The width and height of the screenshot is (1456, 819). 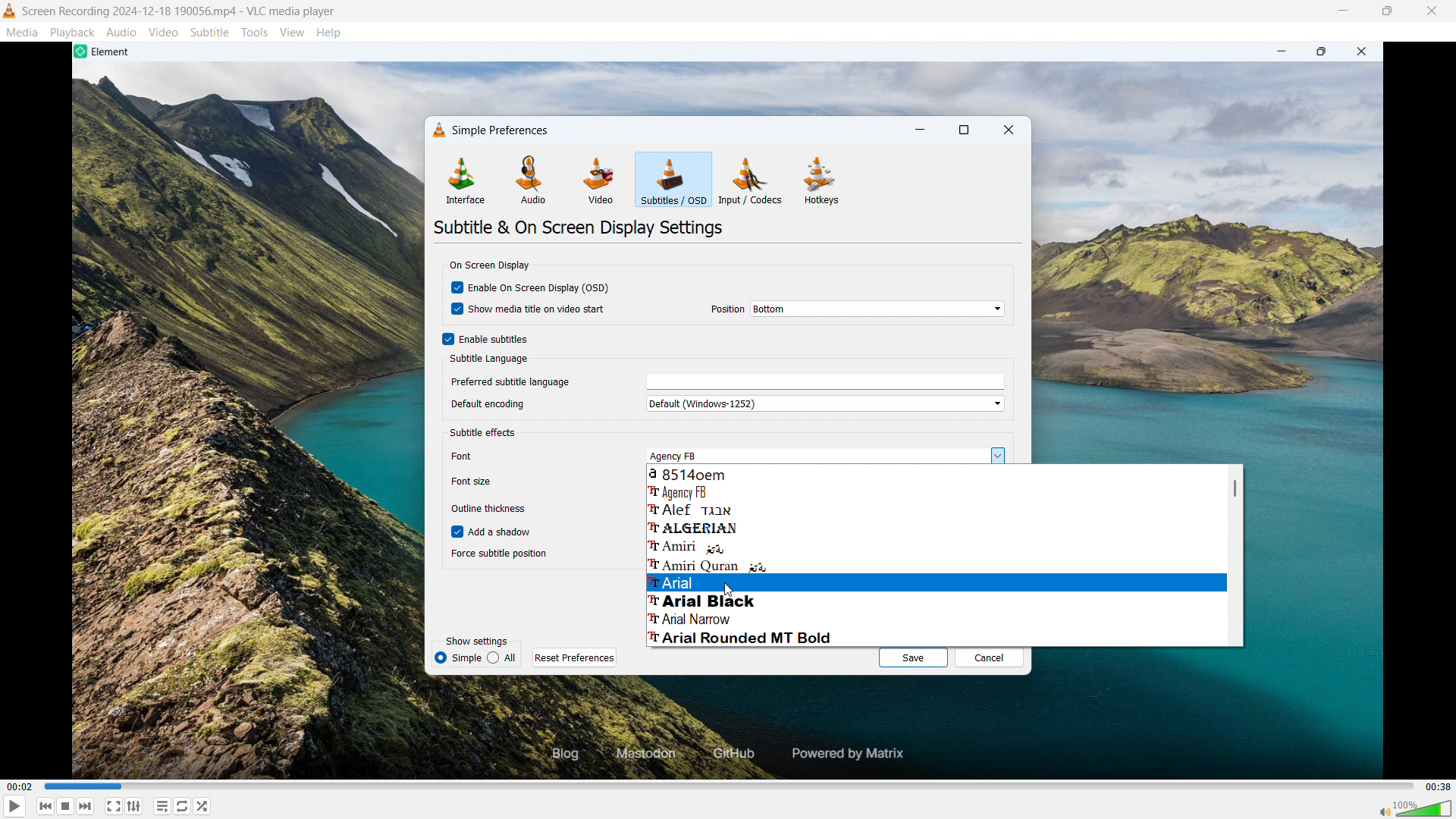 What do you see at coordinates (822, 180) in the screenshot?
I see `hotkeys` at bounding box center [822, 180].